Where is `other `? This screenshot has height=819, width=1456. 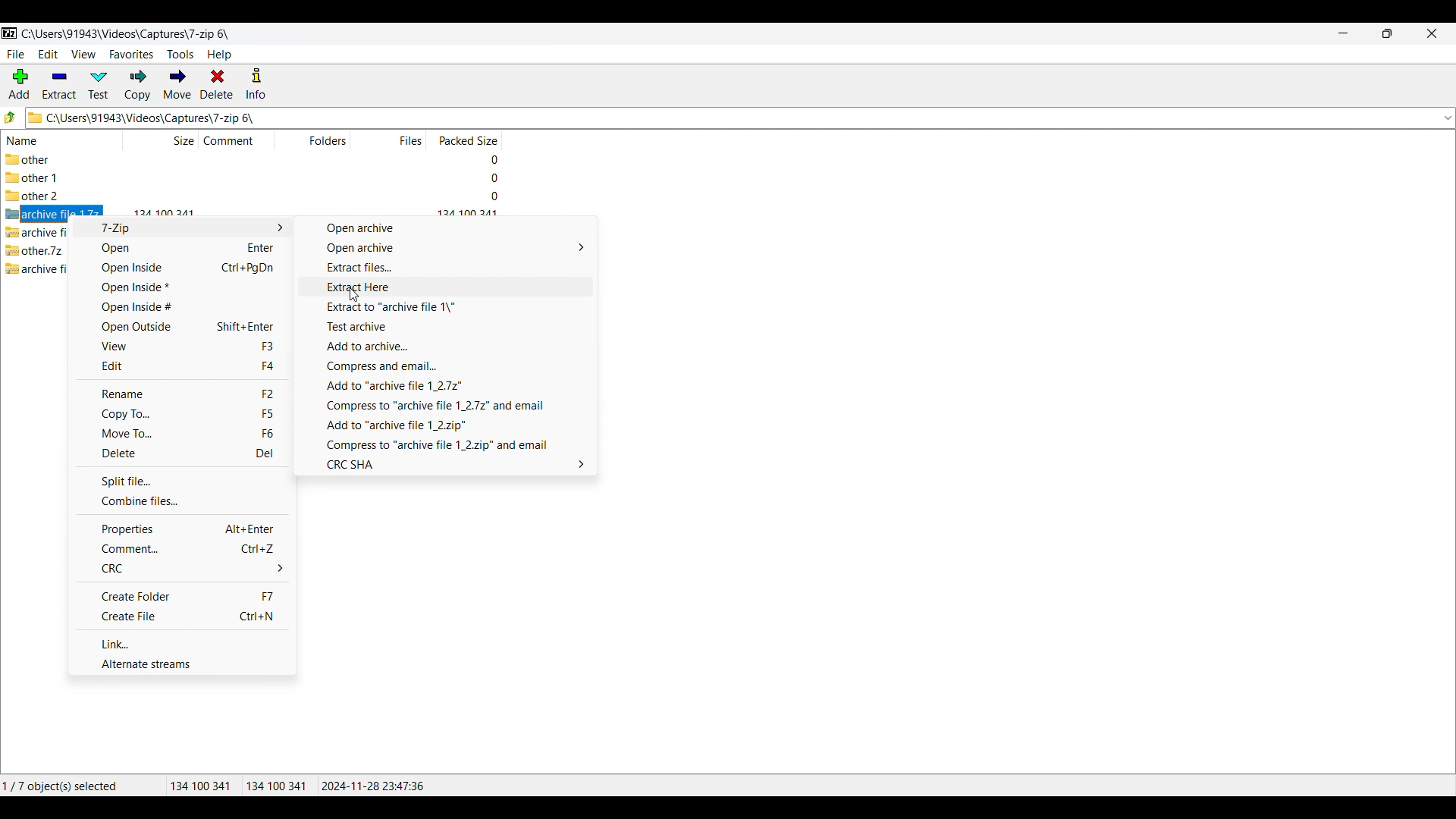
other  is located at coordinates (38, 159).